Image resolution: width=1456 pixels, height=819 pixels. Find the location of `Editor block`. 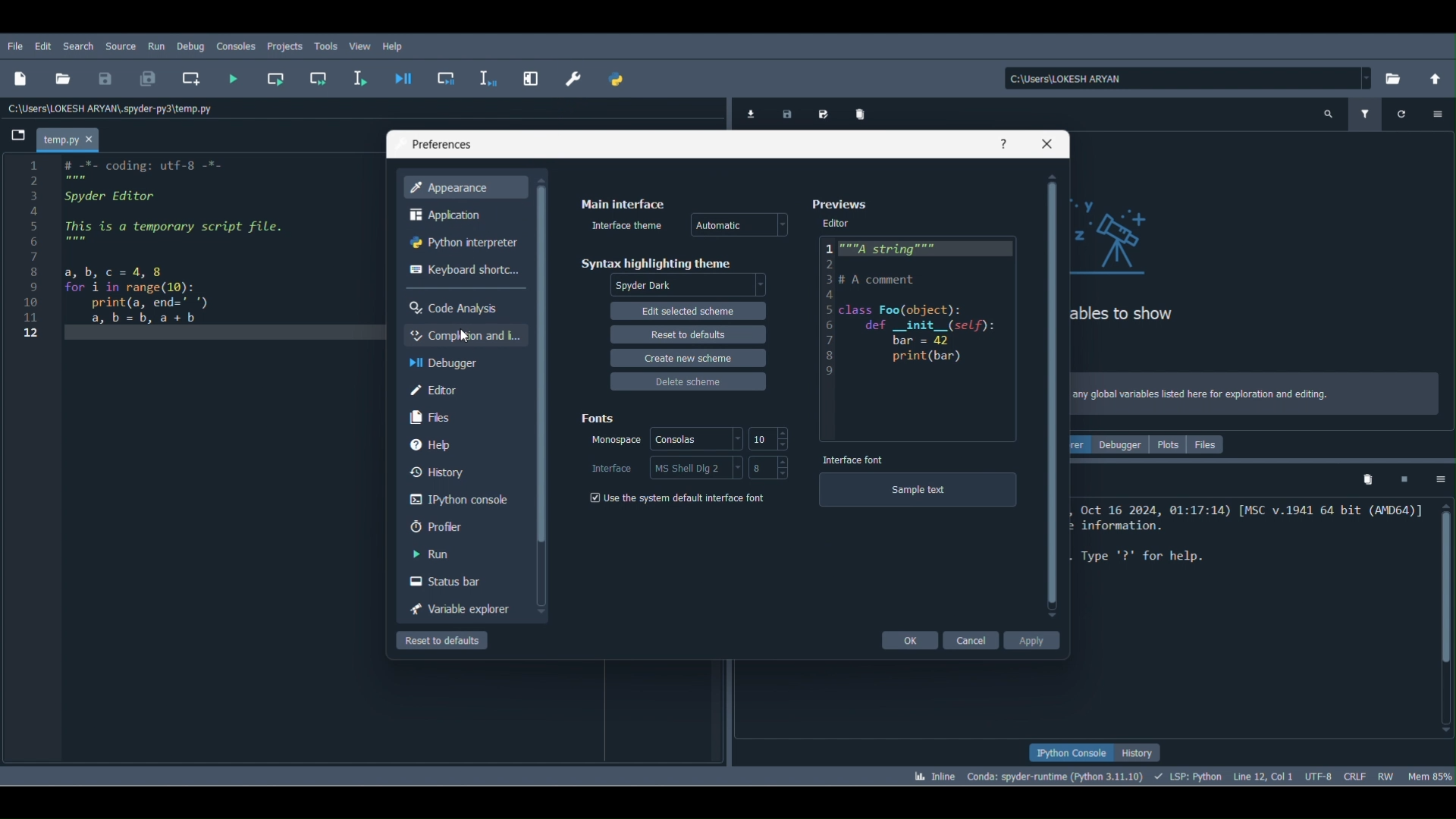

Editor block is located at coordinates (919, 340).